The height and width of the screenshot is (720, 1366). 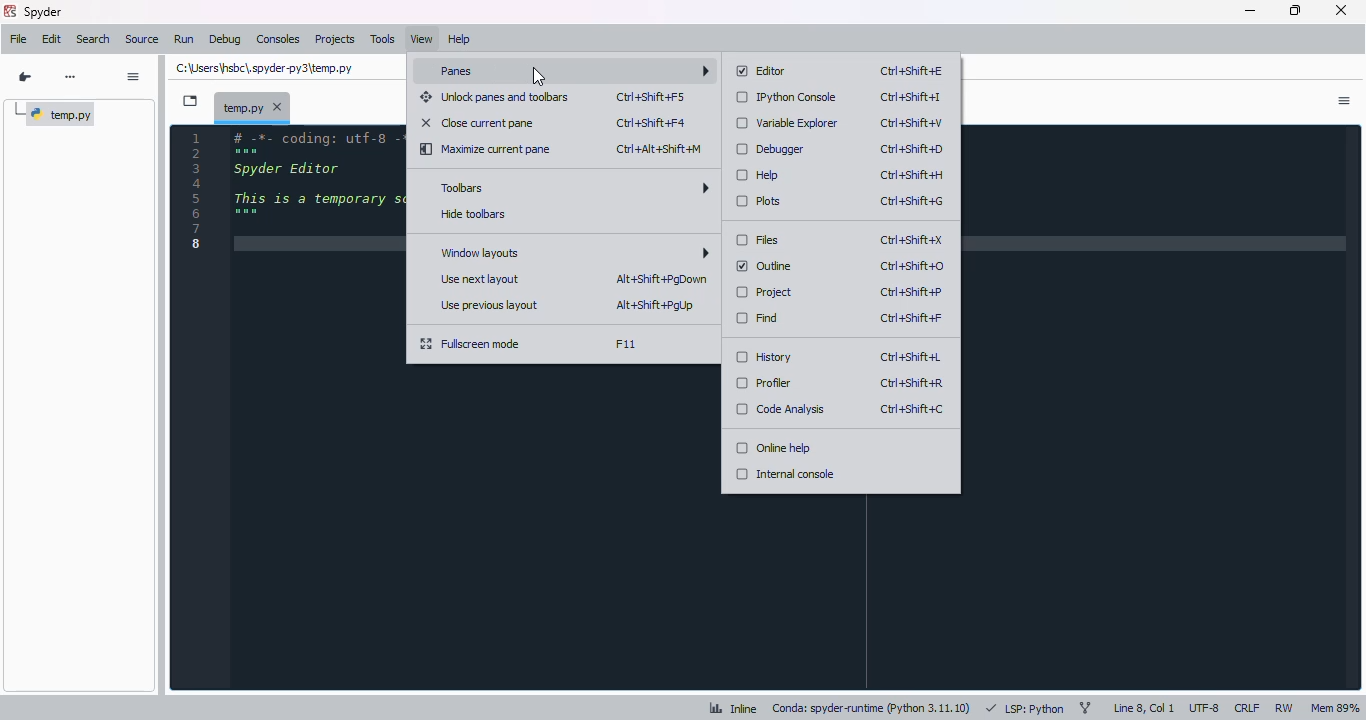 What do you see at coordinates (762, 71) in the screenshot?
I see `editor` at bounding box center [762, 71].